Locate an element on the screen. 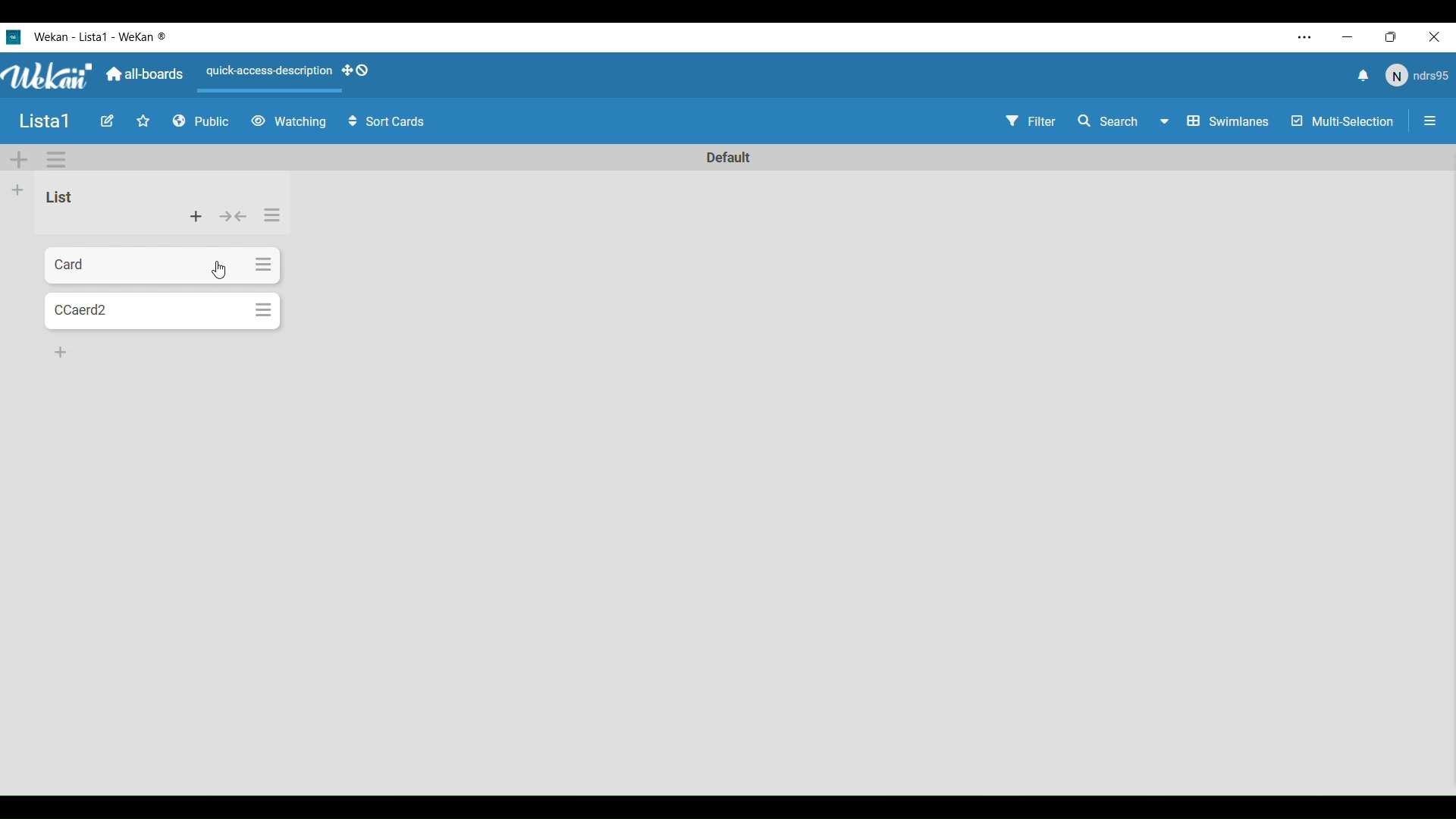 The width and height of the screenshot is (1456, 819). Favorites is located at coordinates (143, 121).